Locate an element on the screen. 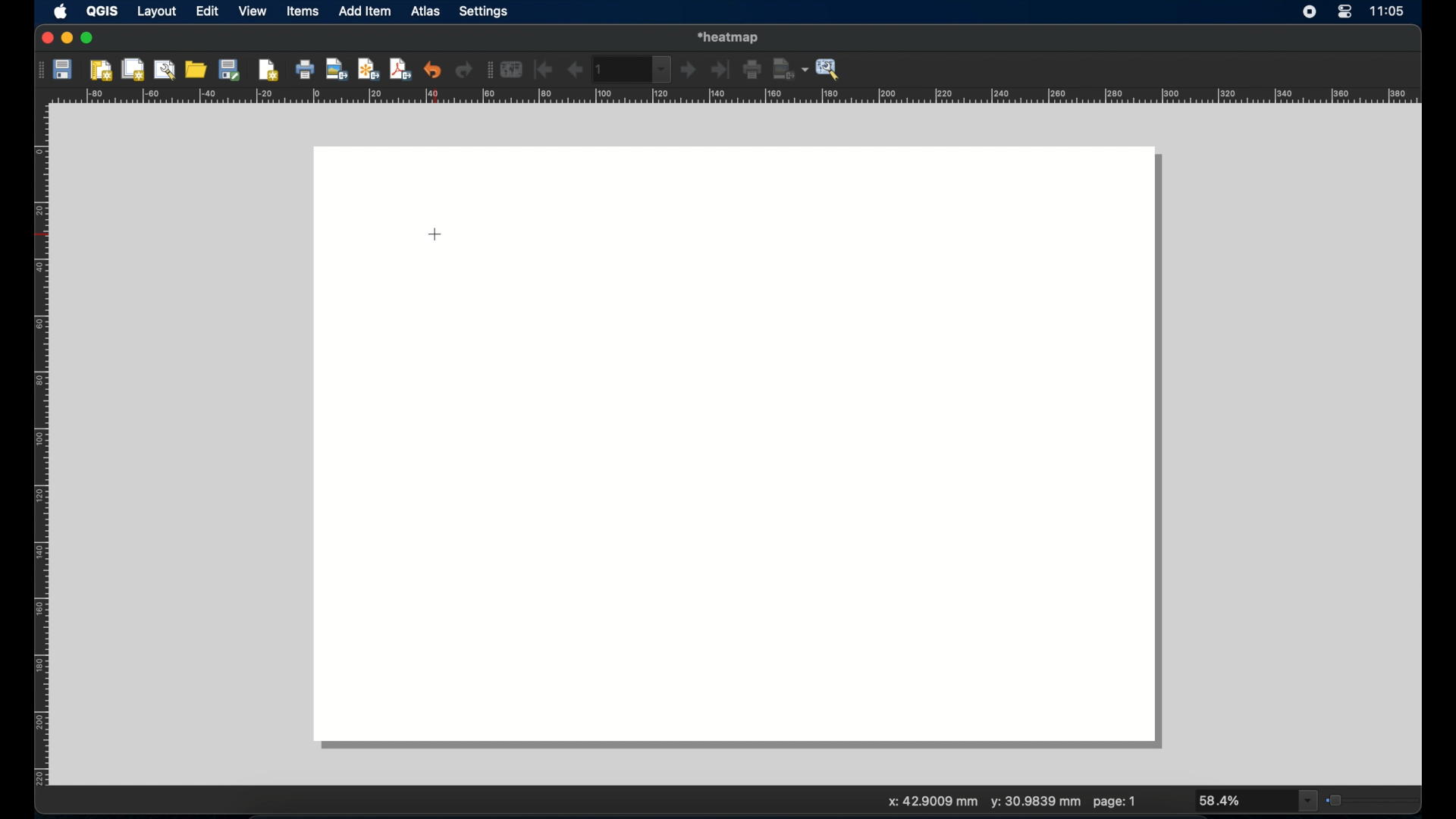  preview atlas is located at coordinates (513, 70).